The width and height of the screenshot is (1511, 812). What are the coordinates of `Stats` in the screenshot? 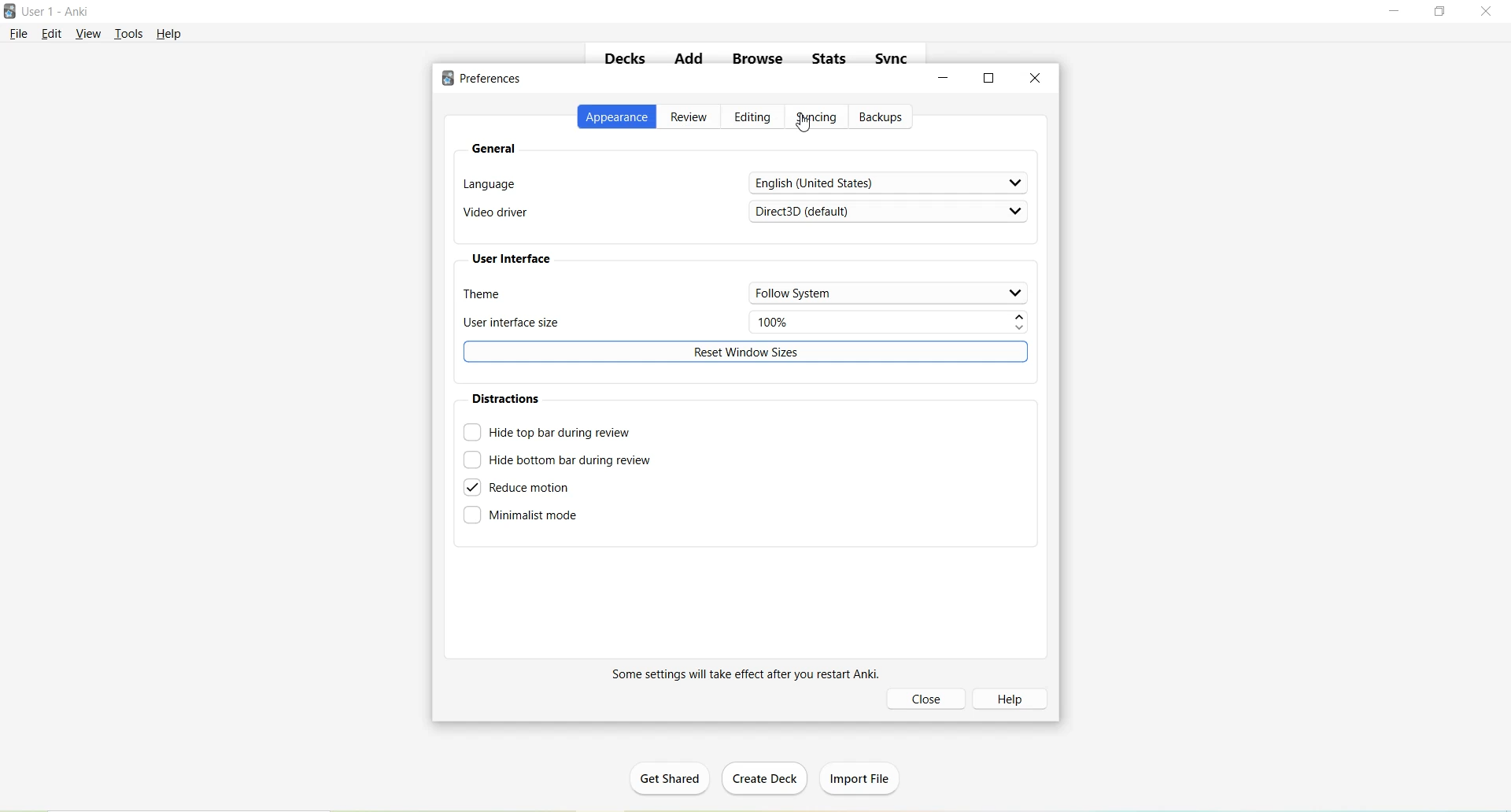 It's located at (834, 62).